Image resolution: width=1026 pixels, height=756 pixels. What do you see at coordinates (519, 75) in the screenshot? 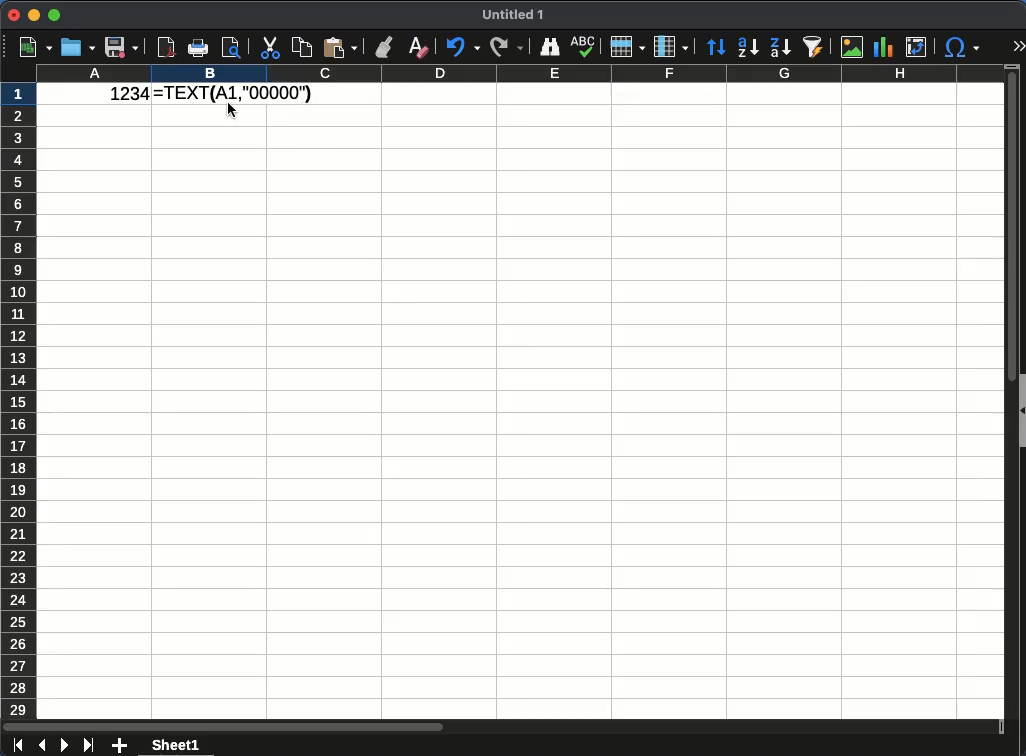
I see `columns` at bounding box center [519, 75].